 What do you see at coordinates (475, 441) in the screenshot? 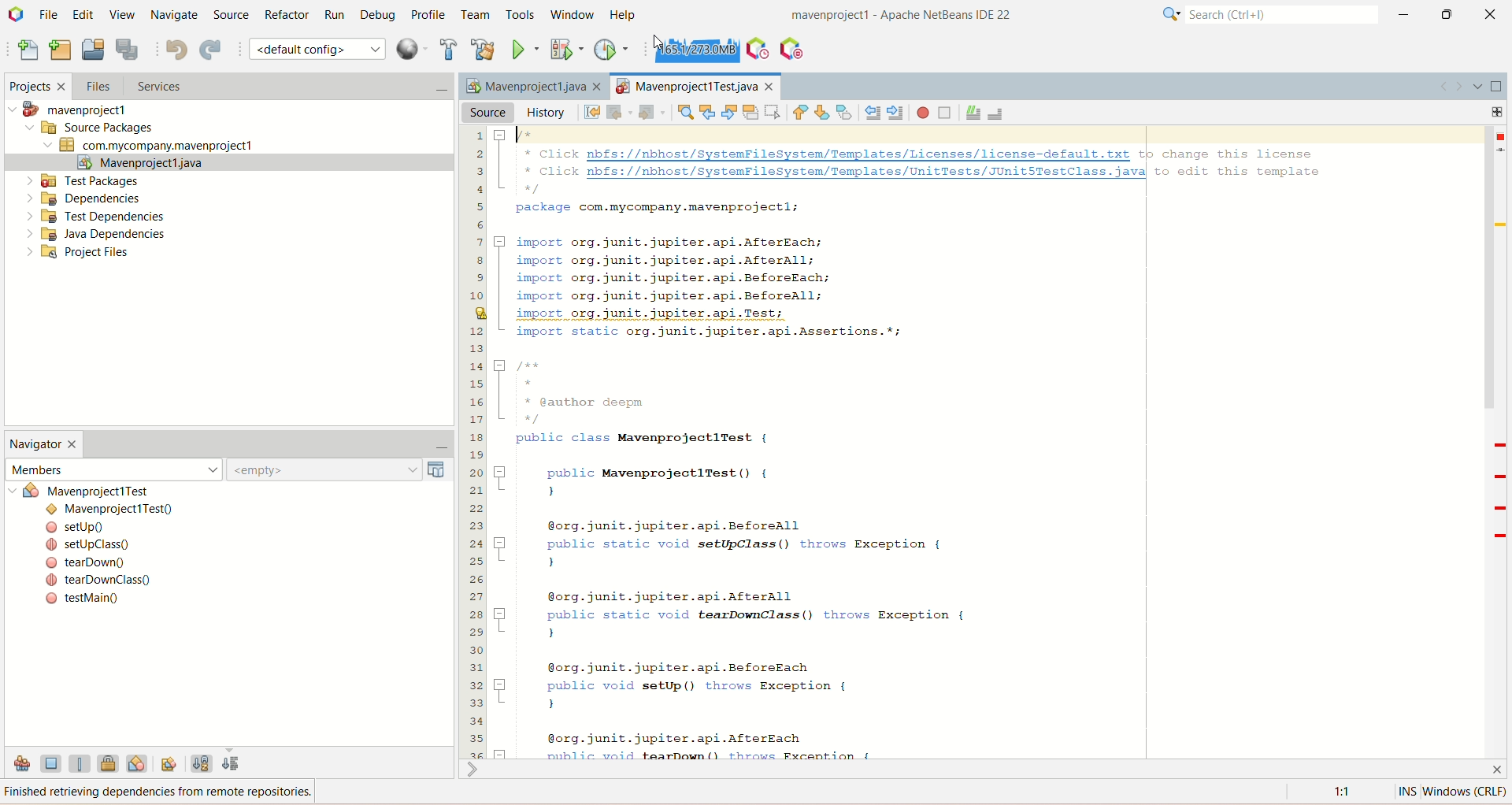
I see `line number` at bounding box center [475, 441].